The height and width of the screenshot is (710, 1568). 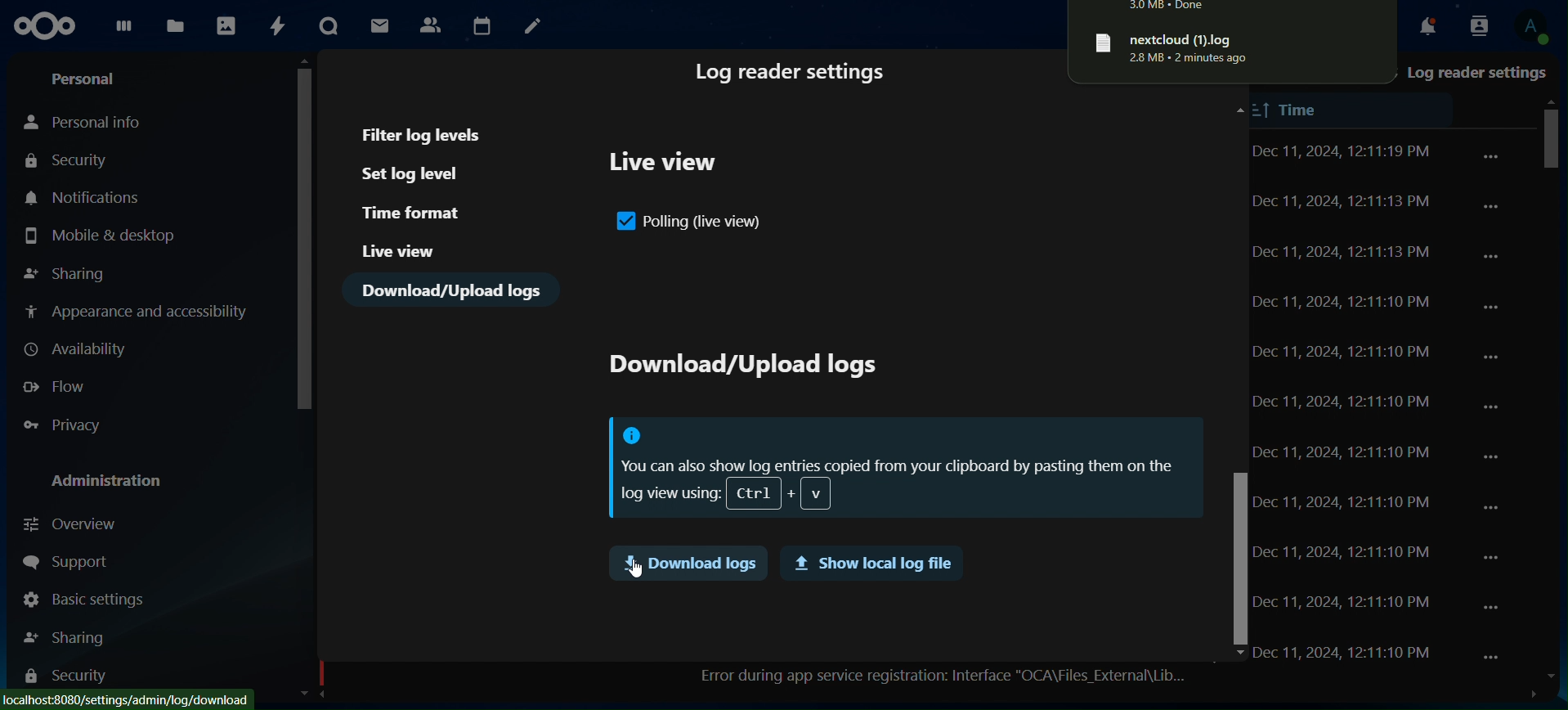 What do you see at coordinates (58, 388) in the screenshot?
I see `flow` at bounding box center [58, 388].